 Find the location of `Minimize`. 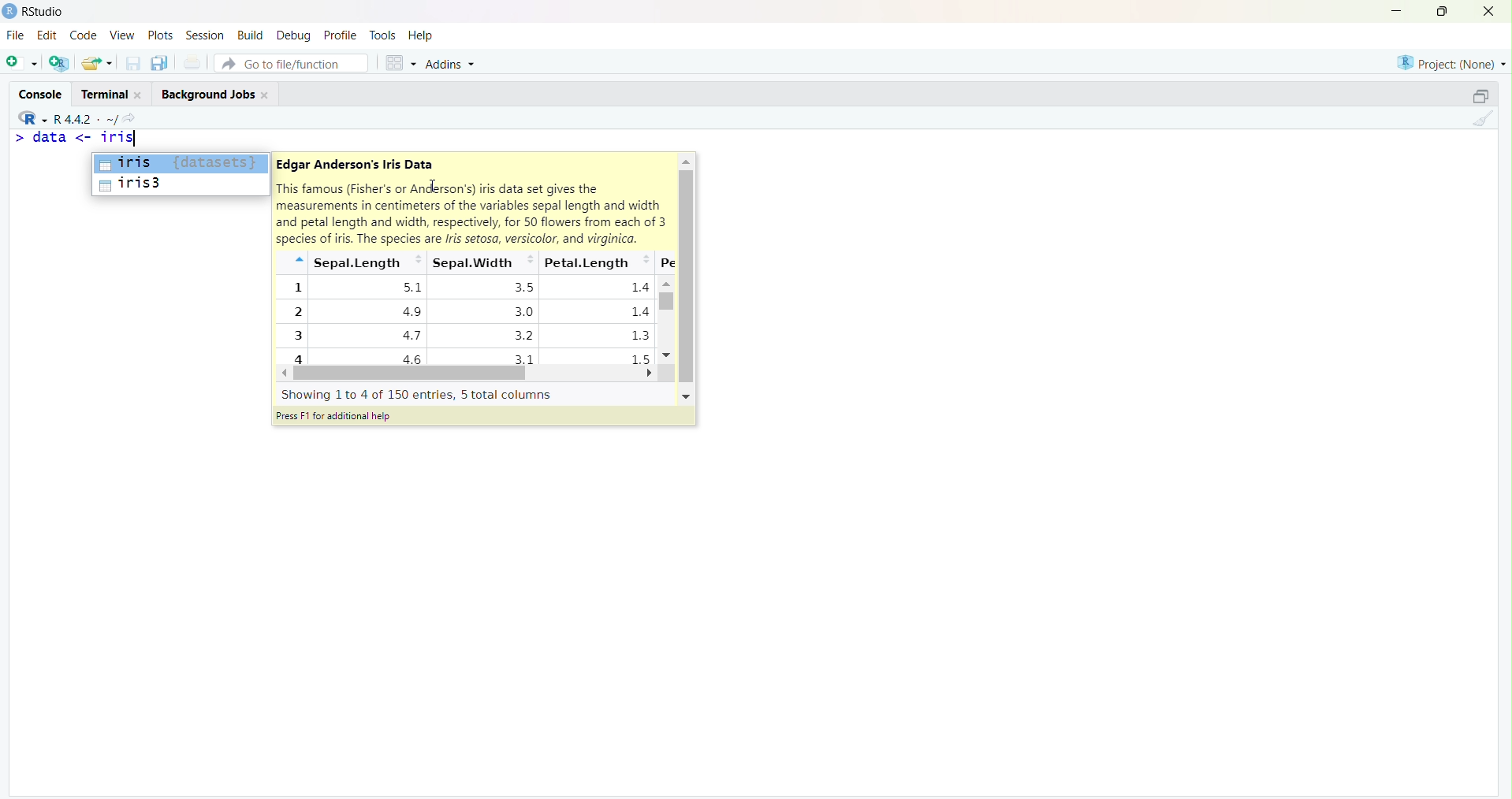

Minimize is located at coordinates (1398, 10).